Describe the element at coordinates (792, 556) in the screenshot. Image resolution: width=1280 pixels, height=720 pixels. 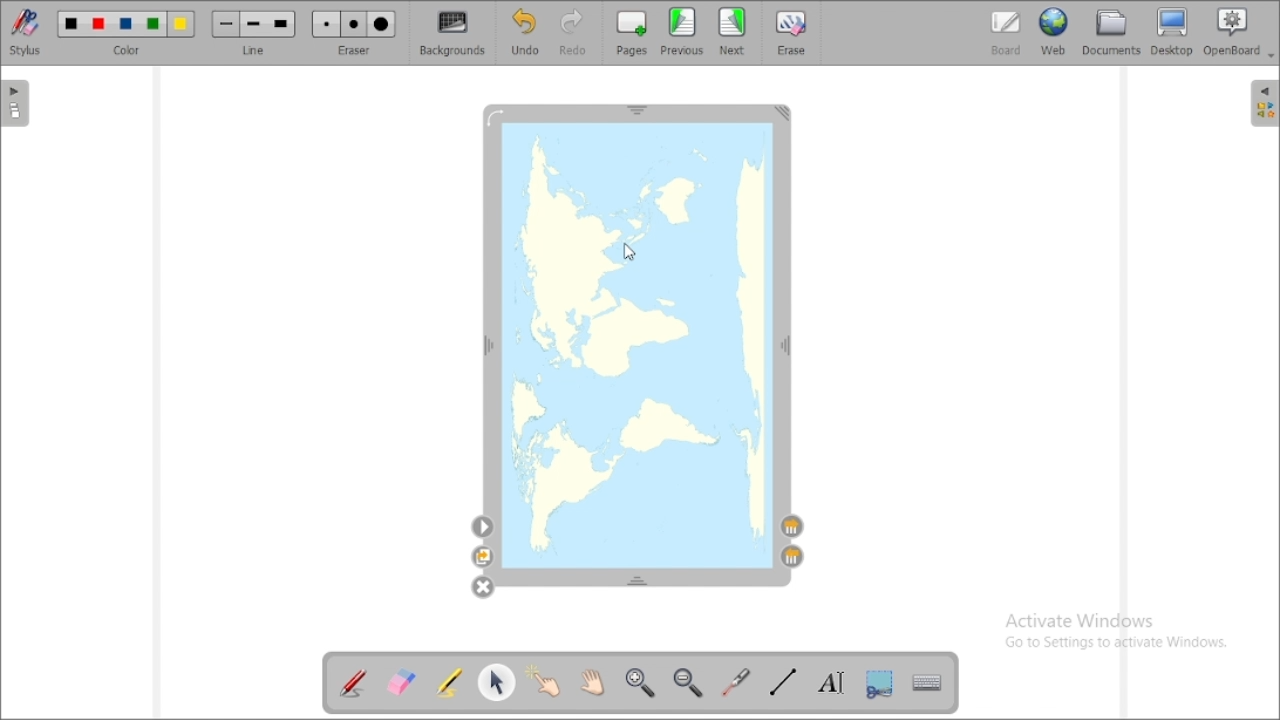
I see `layer up` at that location.